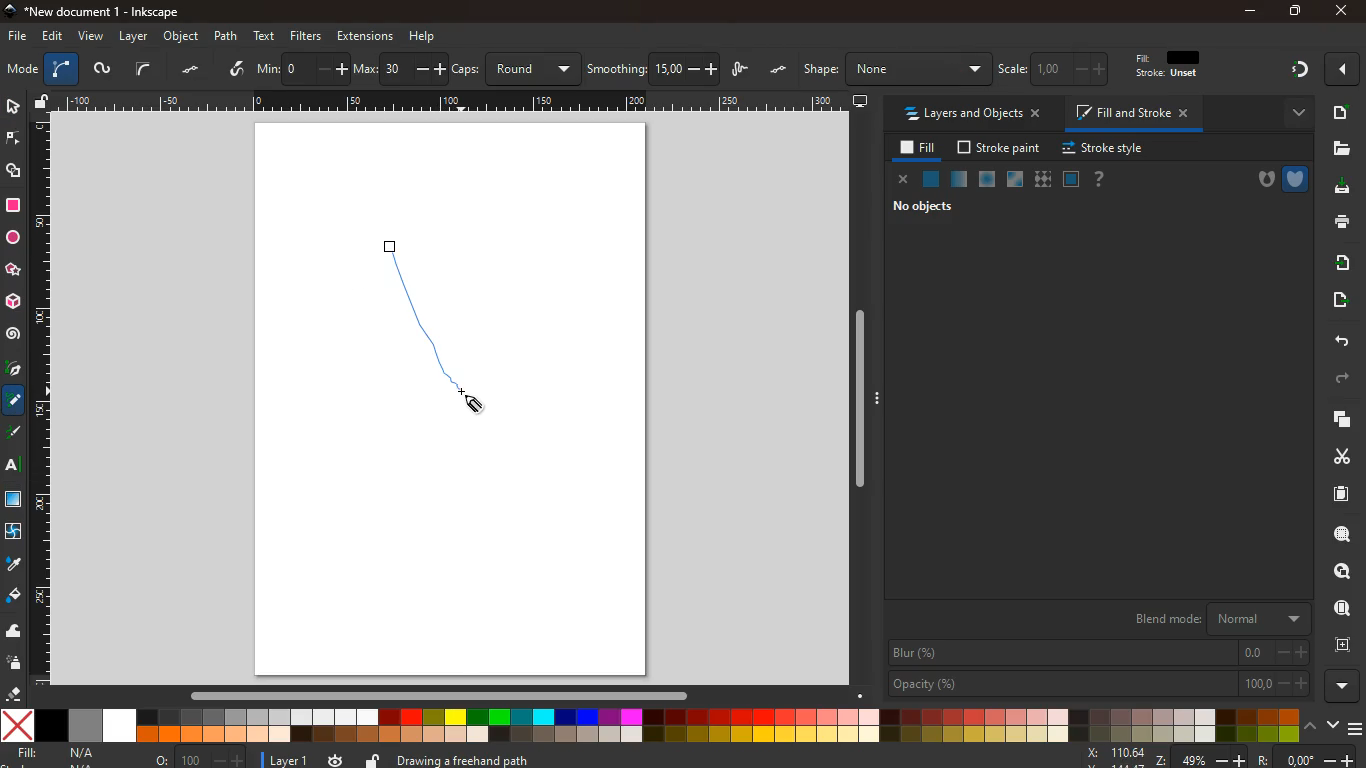 The width and height of the screenshot is (1366, 768). What do you see at coordinates (101, 71) in the screenshot?
I see `worm` at bounding box center [101, 71].